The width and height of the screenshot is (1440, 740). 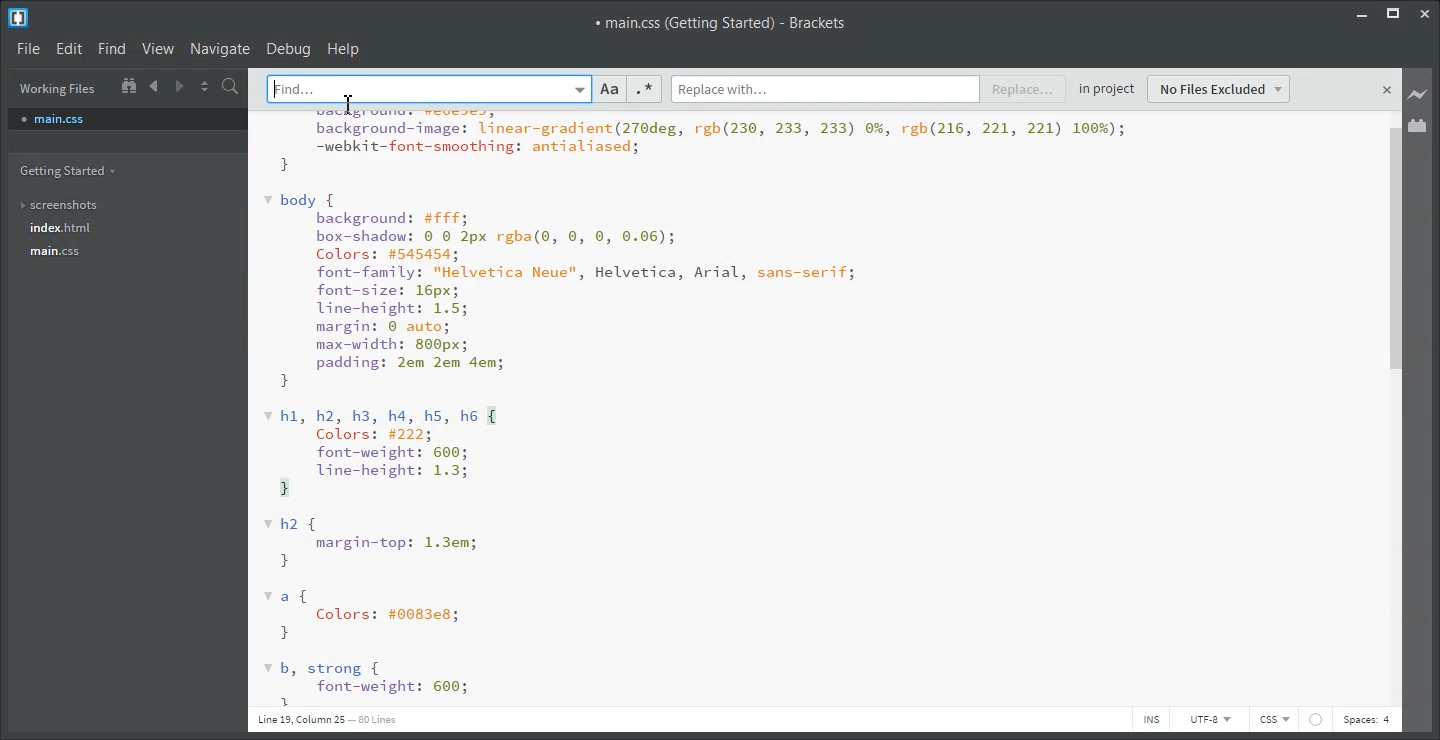 What do you see at coordinates (232, 86) in the screenshot?
I see `Find in files` at bounding box center [232, 86].